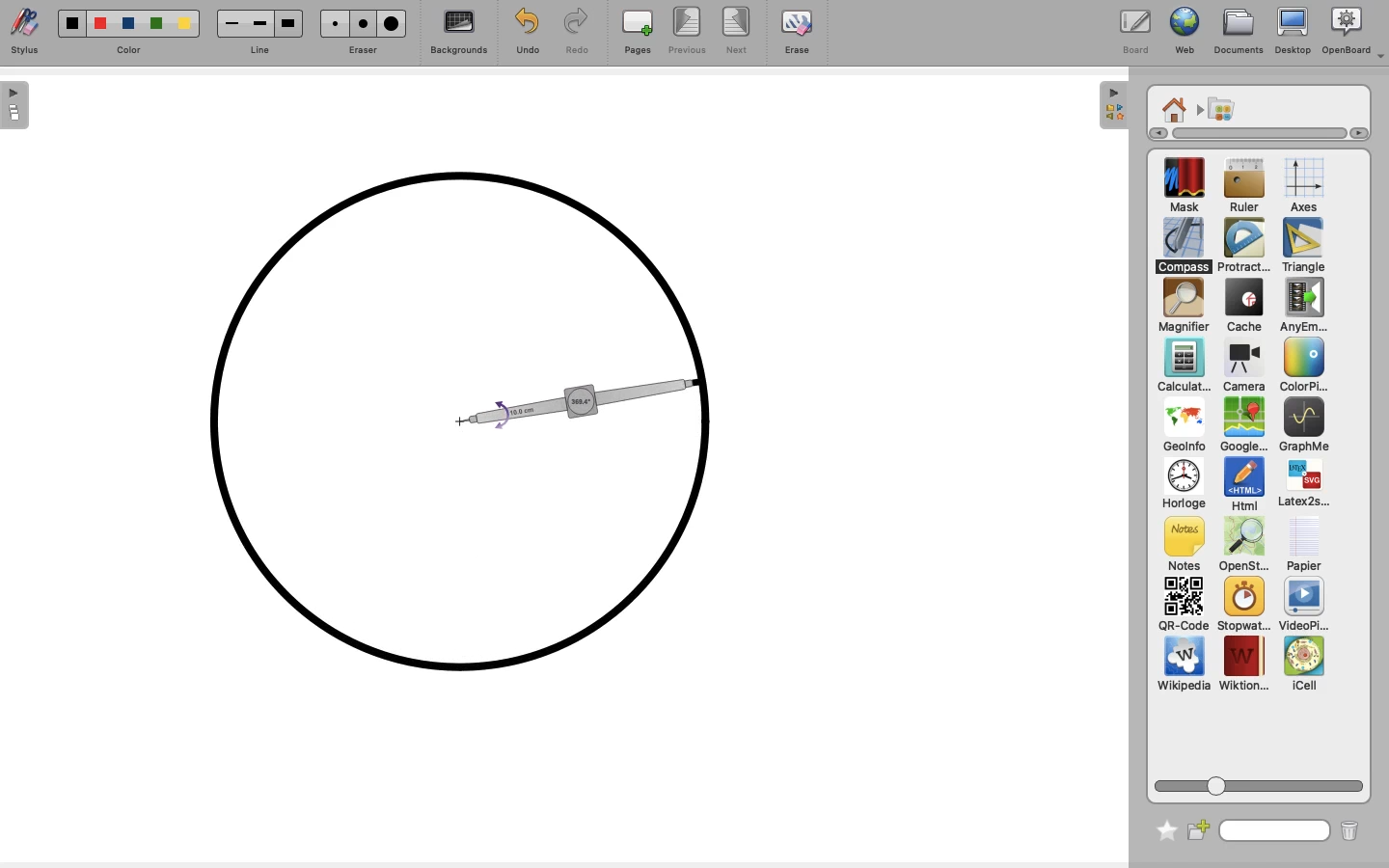  What do you see at coordinates (1184, 667) in the screenshot?
I see `Wikipedia` at bounding box center [1184, 667].